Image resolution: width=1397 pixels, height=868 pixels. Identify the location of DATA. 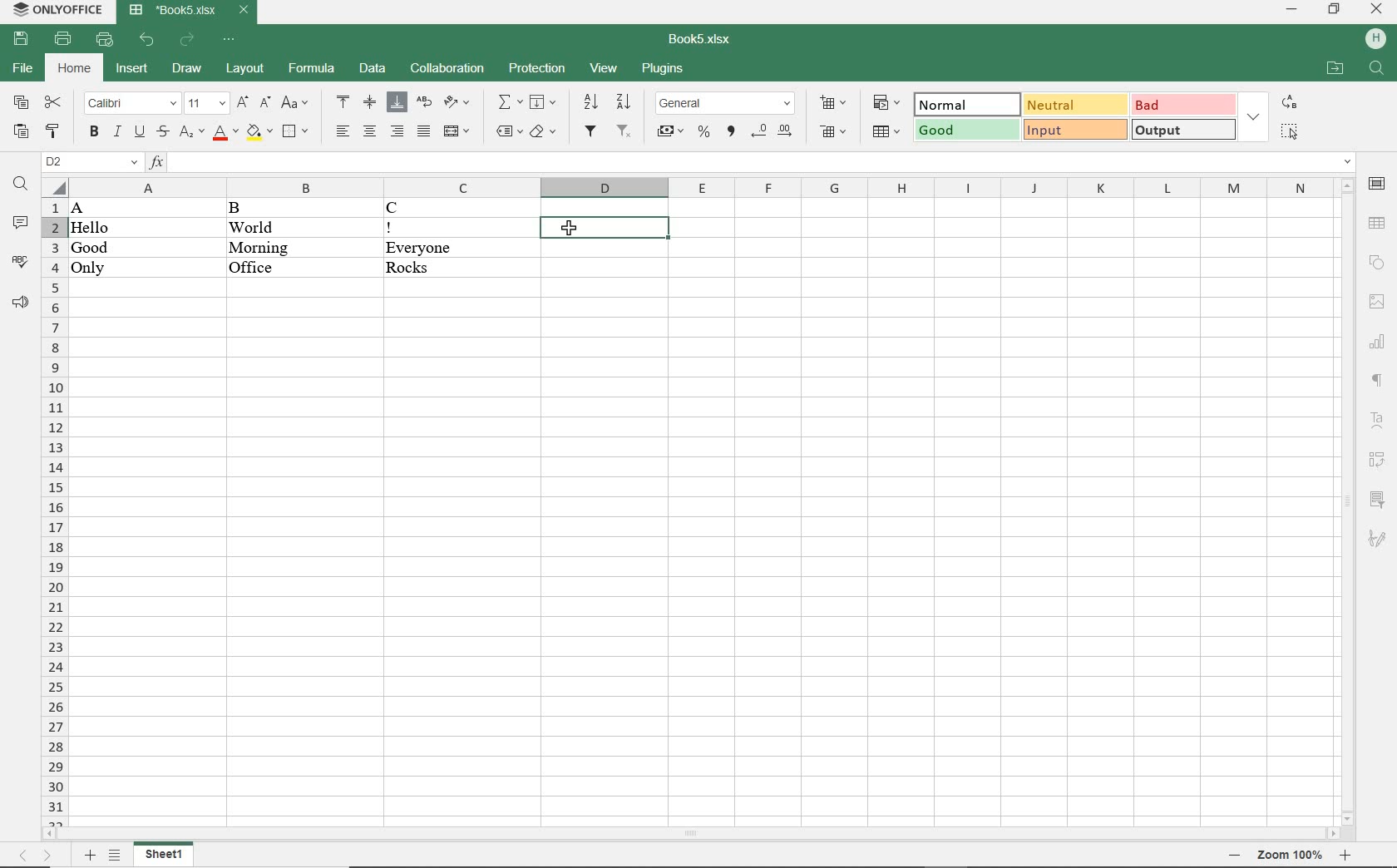
(370, 69).